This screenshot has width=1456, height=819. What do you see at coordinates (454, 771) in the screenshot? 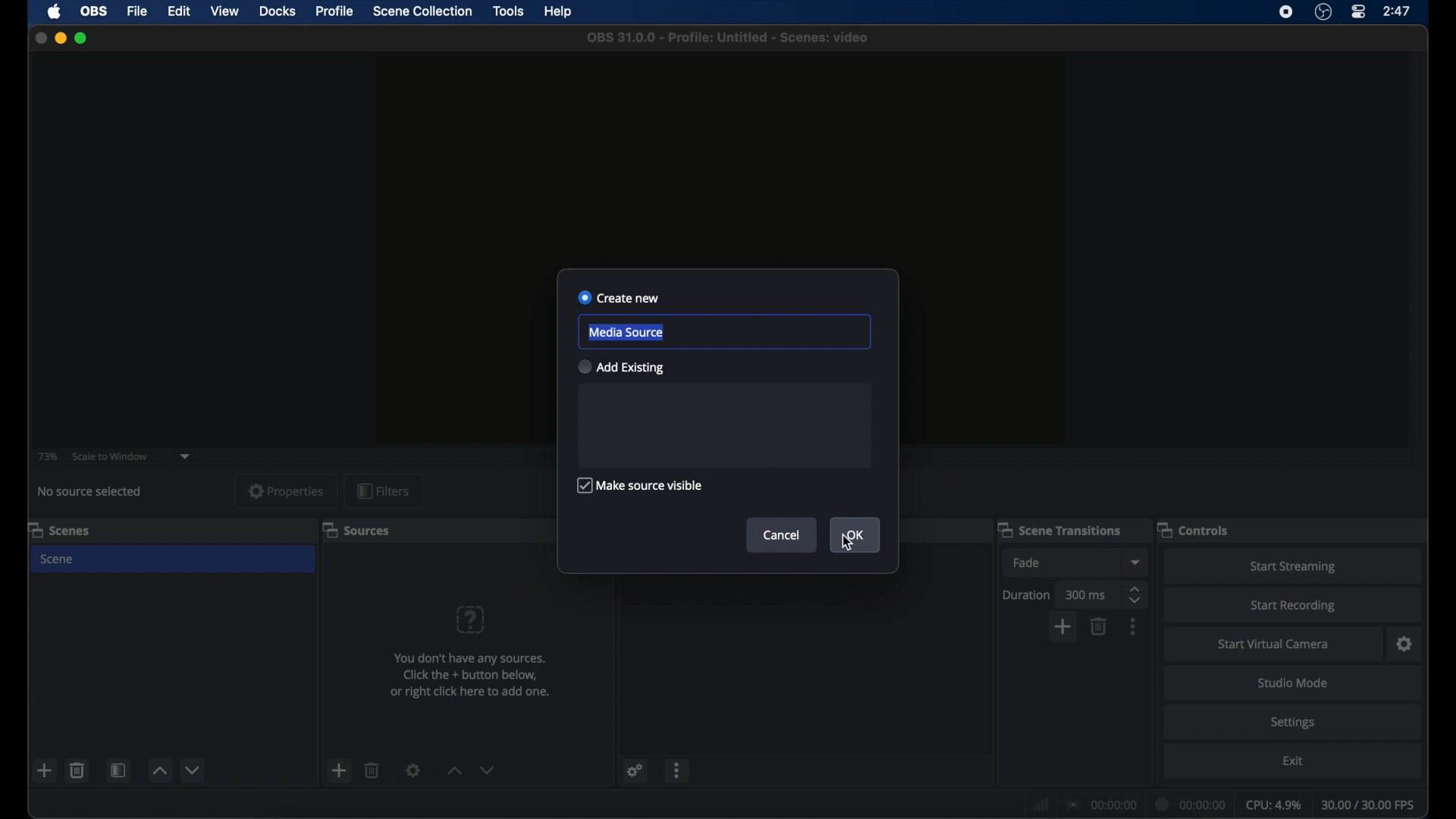
I see `increment button` at bounding box center [454, 771].